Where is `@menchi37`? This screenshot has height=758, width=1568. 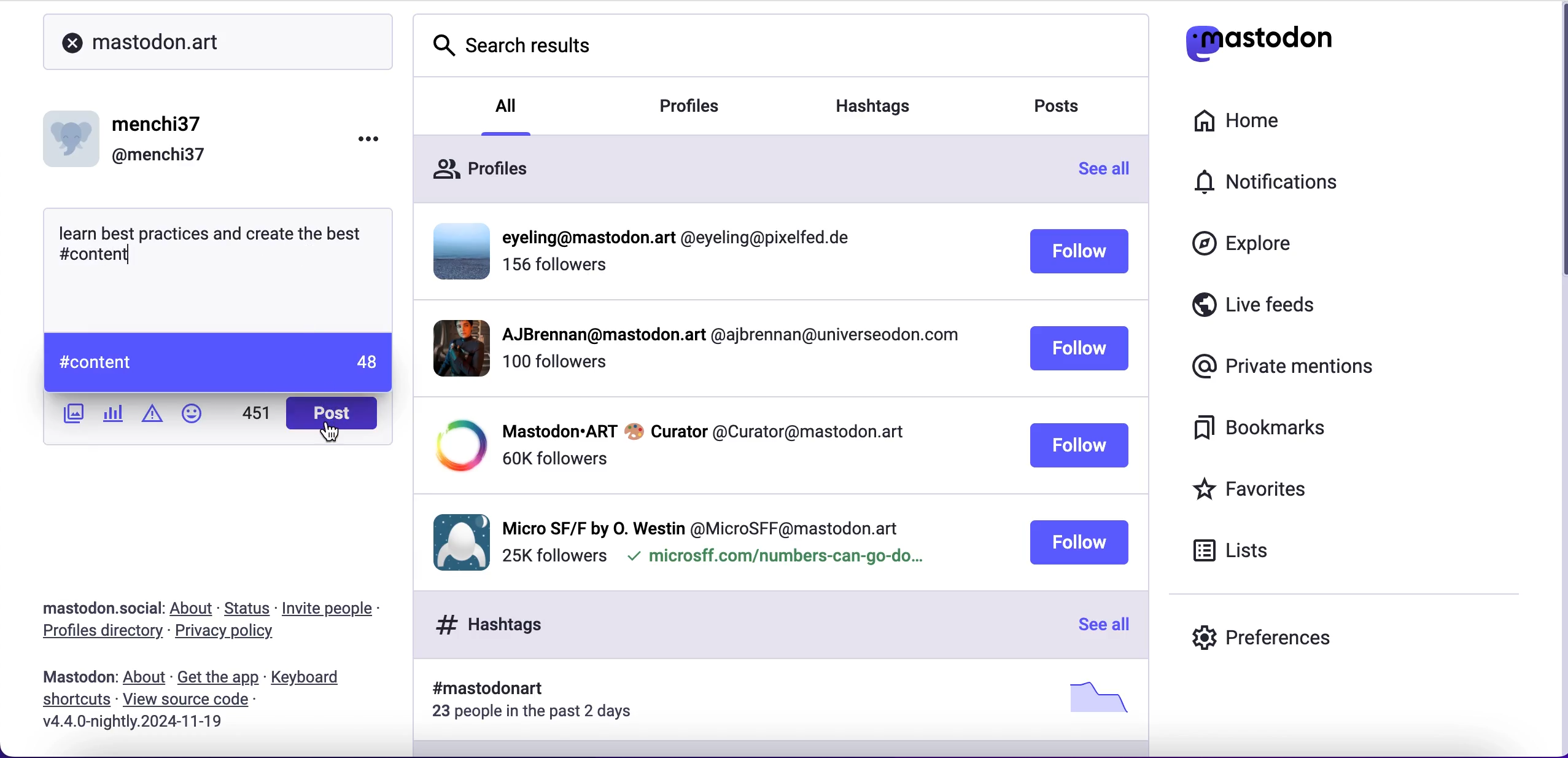 @menchi37 is located at coordinates (159, 156).